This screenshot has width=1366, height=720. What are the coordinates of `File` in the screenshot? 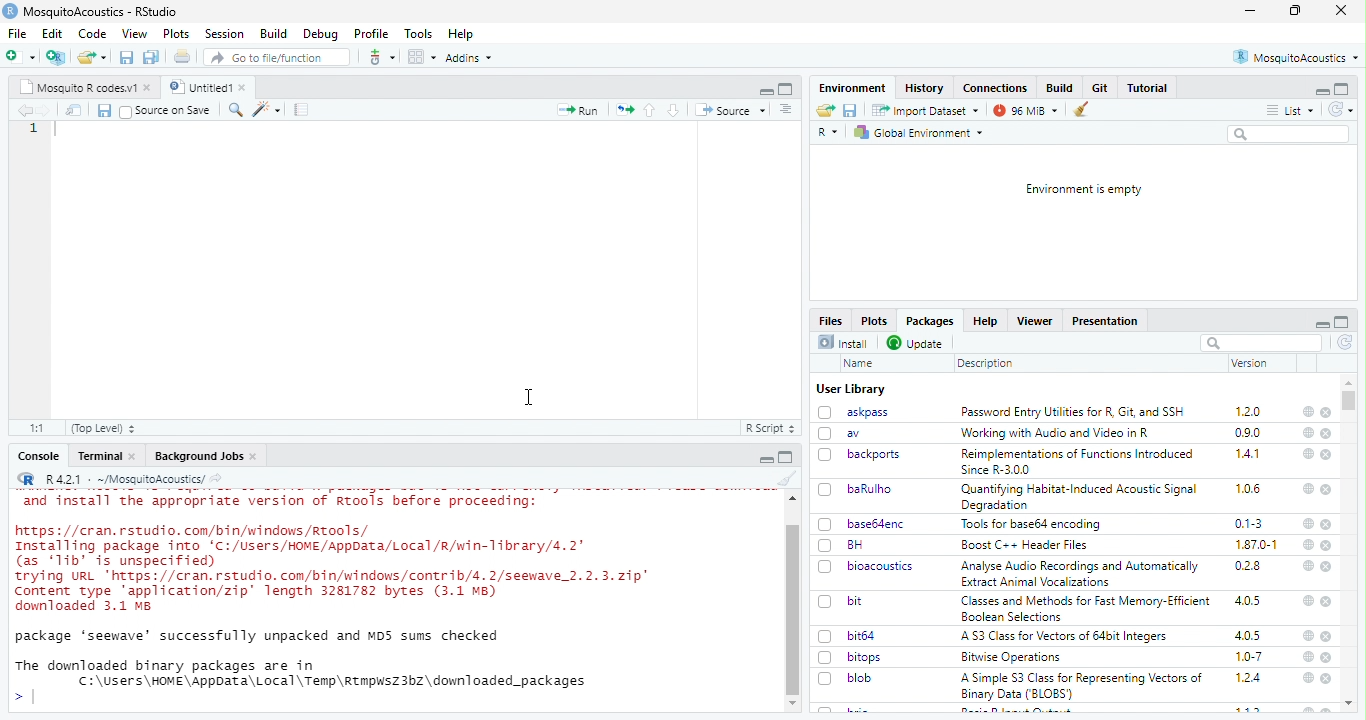 It's located at (19, 34).